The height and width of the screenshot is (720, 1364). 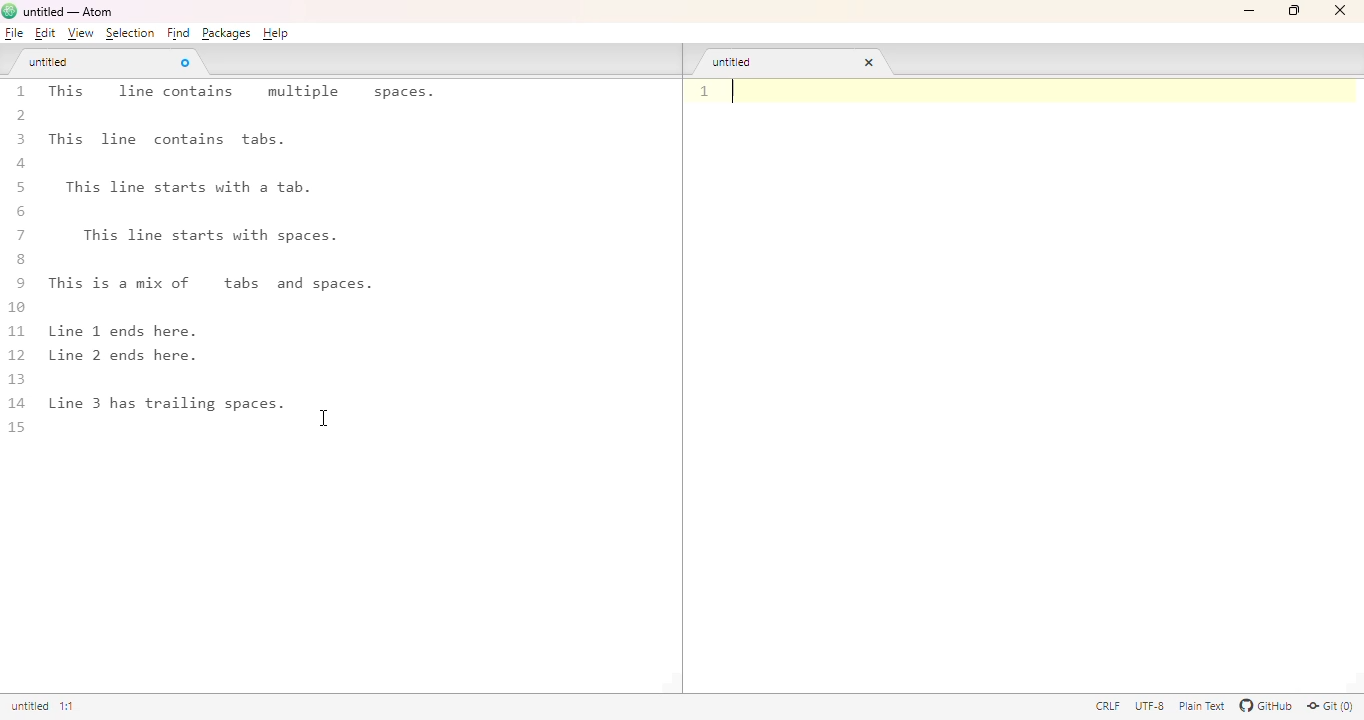 What do you see at coordinates (71, 11) in the screenshot?
I see `untitled — Atom` at bounding box center [71, 11].